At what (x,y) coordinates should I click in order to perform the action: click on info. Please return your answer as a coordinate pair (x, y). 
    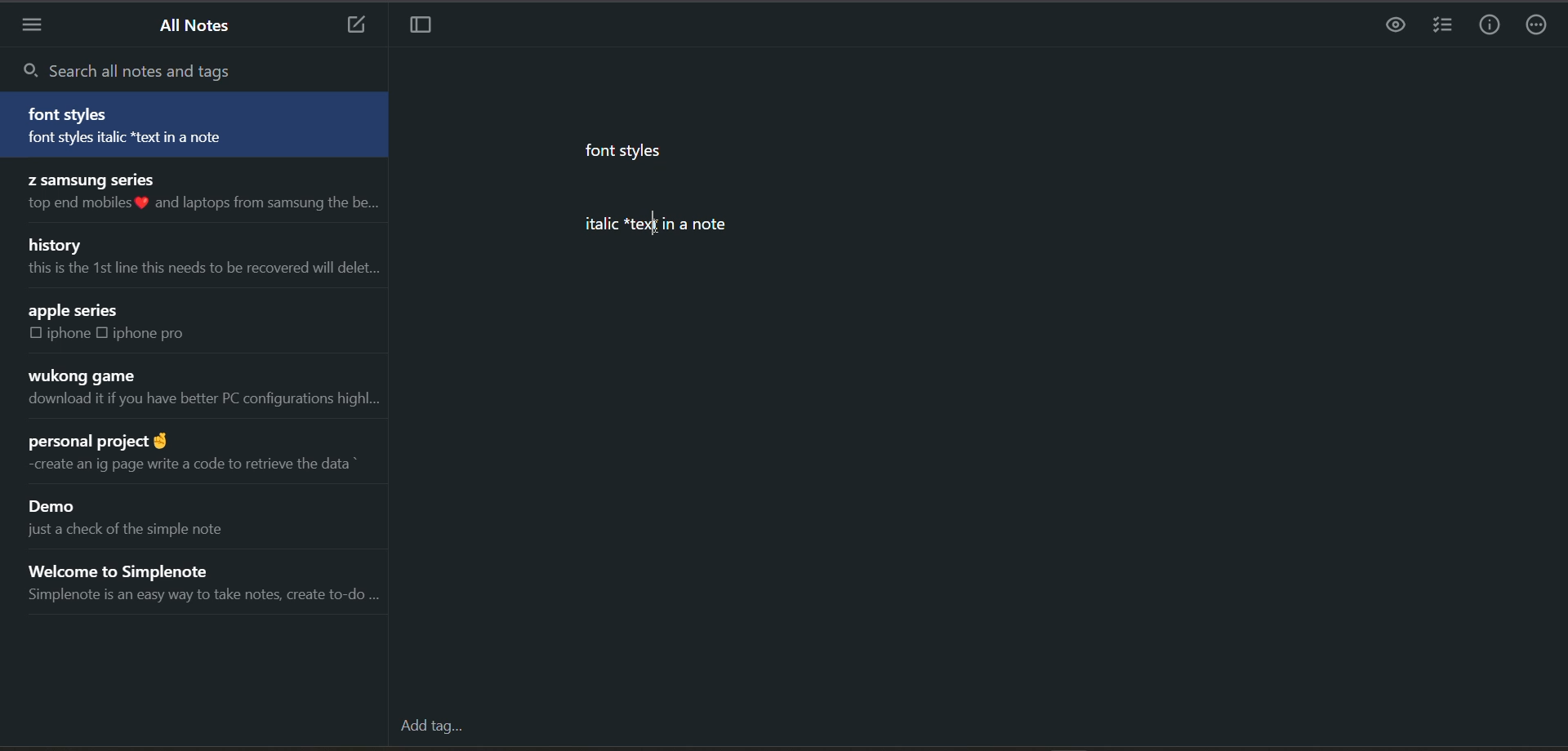
    Looking at the image, I should click on (1493, 23).